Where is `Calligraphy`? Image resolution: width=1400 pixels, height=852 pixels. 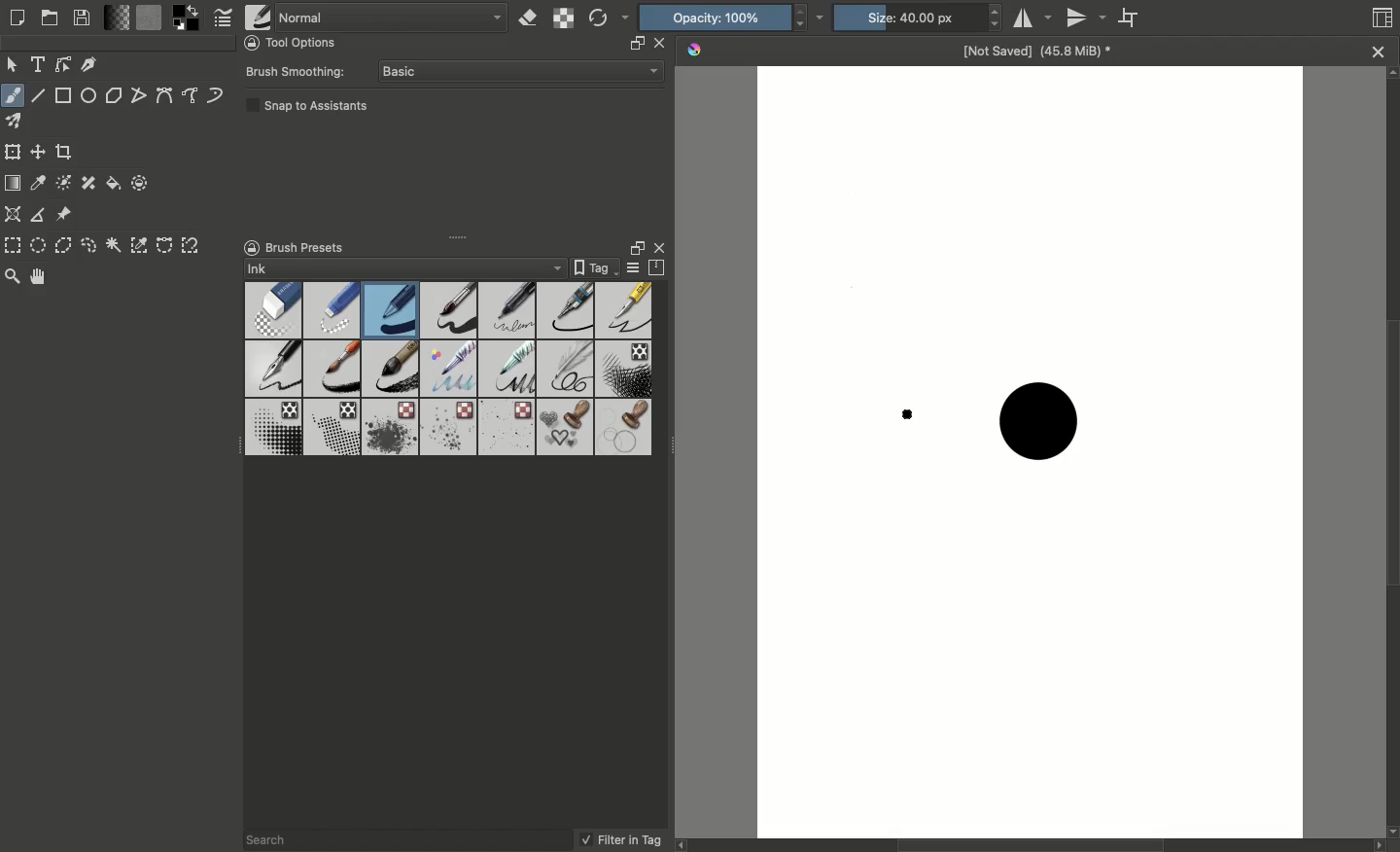
Calligraphy is located at coordinates (90, 64).